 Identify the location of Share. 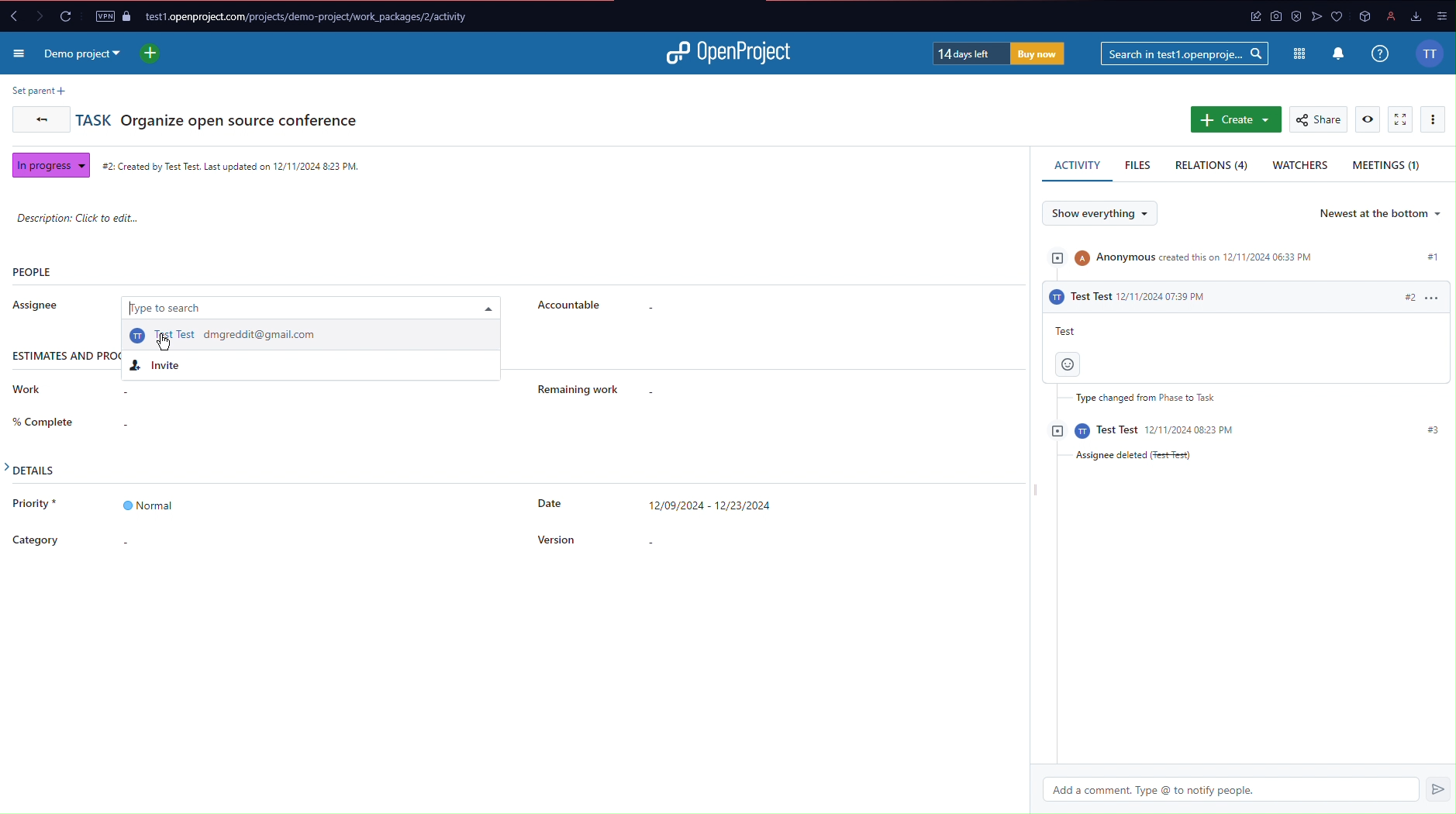
(1316, 119).